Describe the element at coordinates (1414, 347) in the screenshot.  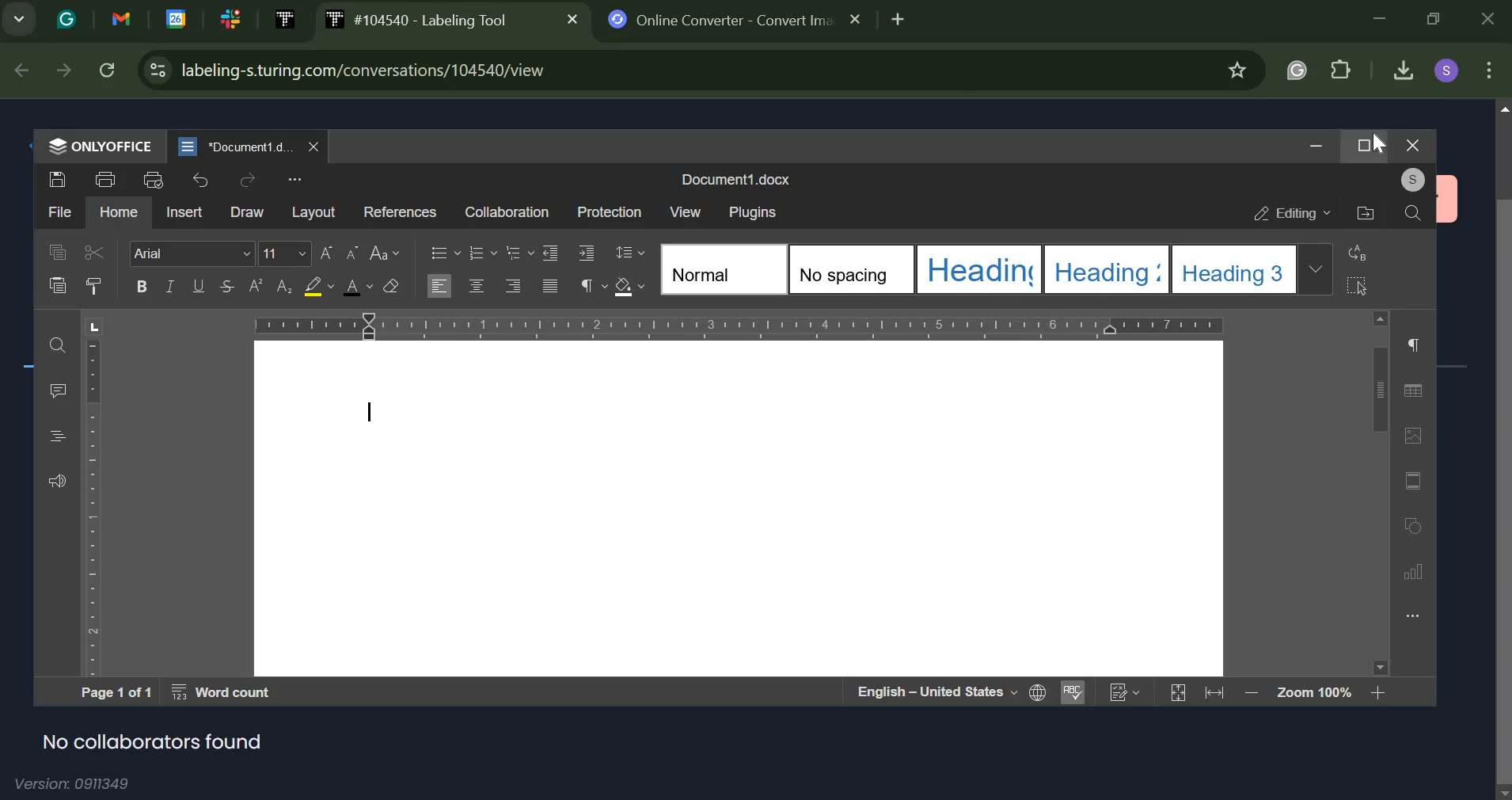
I see `paragraph settings` at that location.